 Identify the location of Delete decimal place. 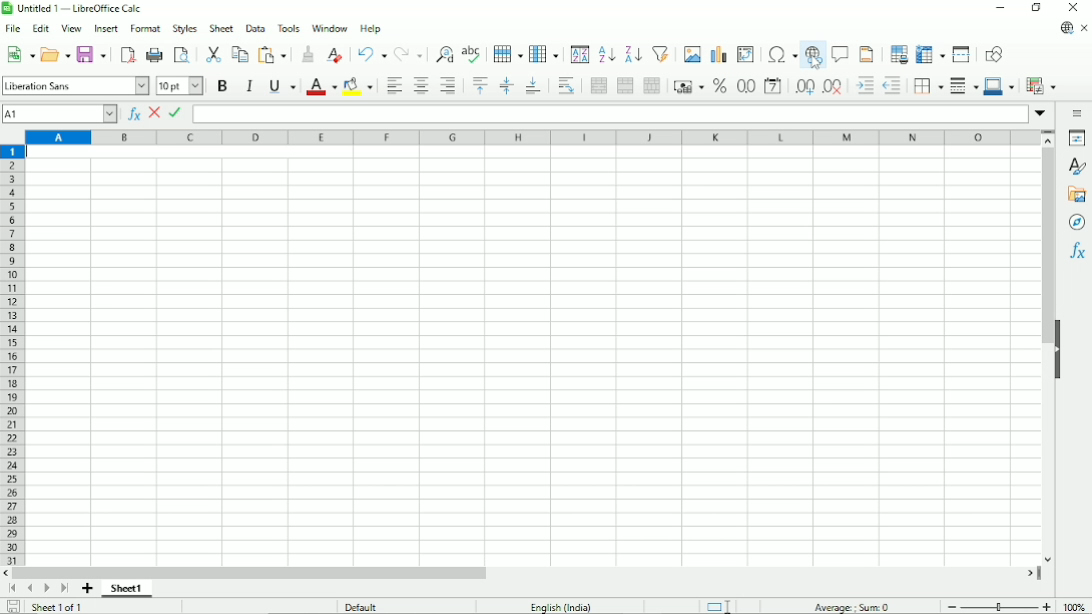
(834, 87).